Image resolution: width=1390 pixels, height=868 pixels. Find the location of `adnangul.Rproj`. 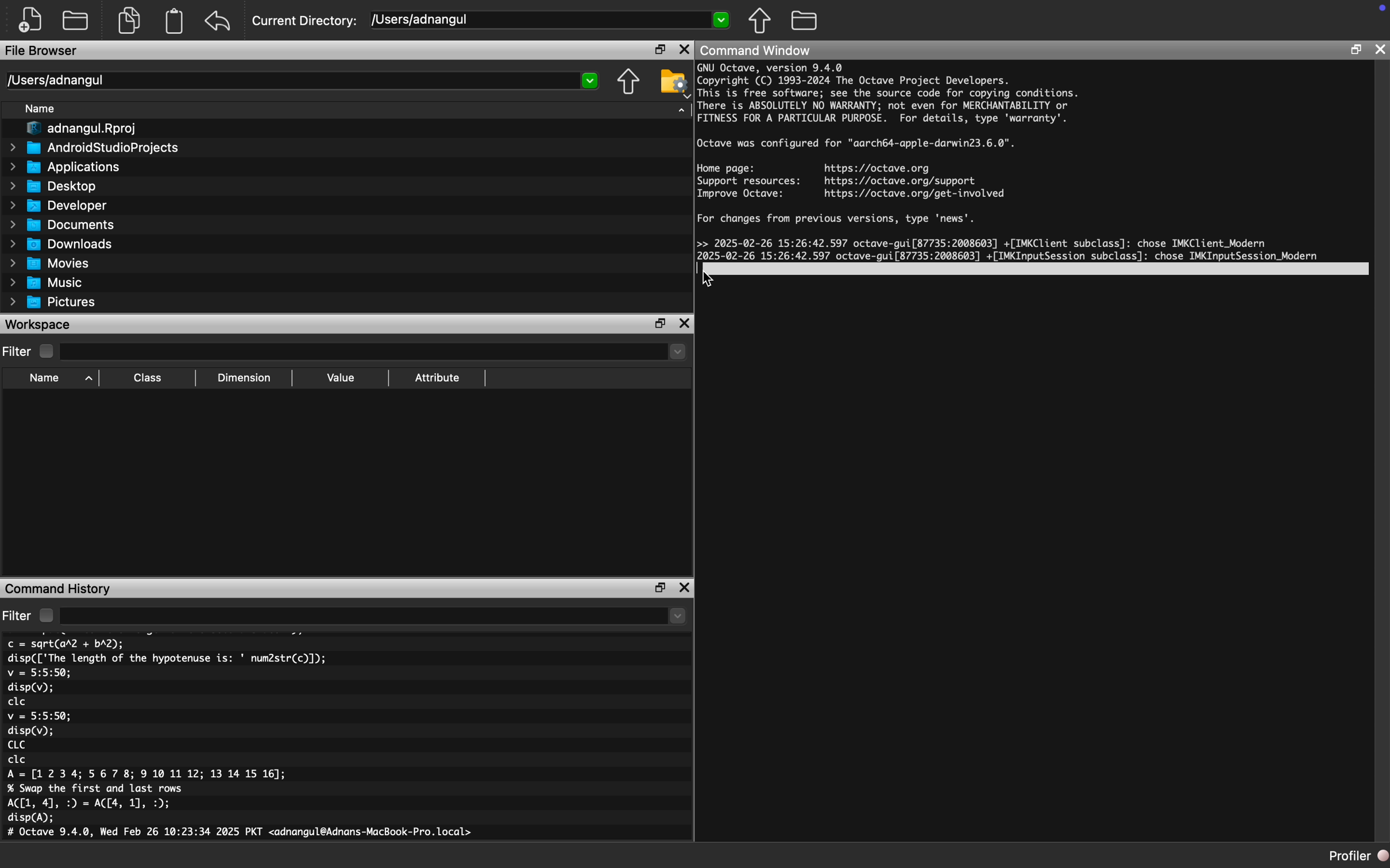

adnangul.Rproj is located at coordinates (76, 130).